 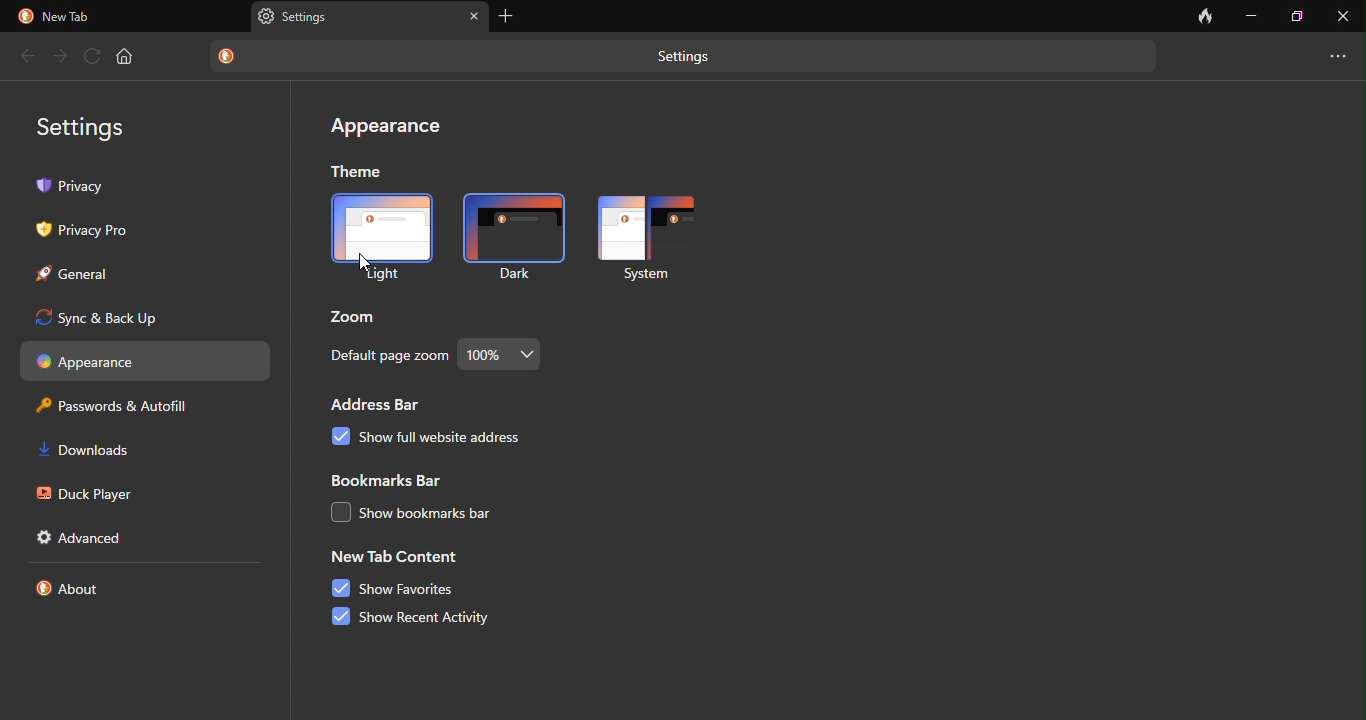 I want to click on close, so click(x=474, y=16).